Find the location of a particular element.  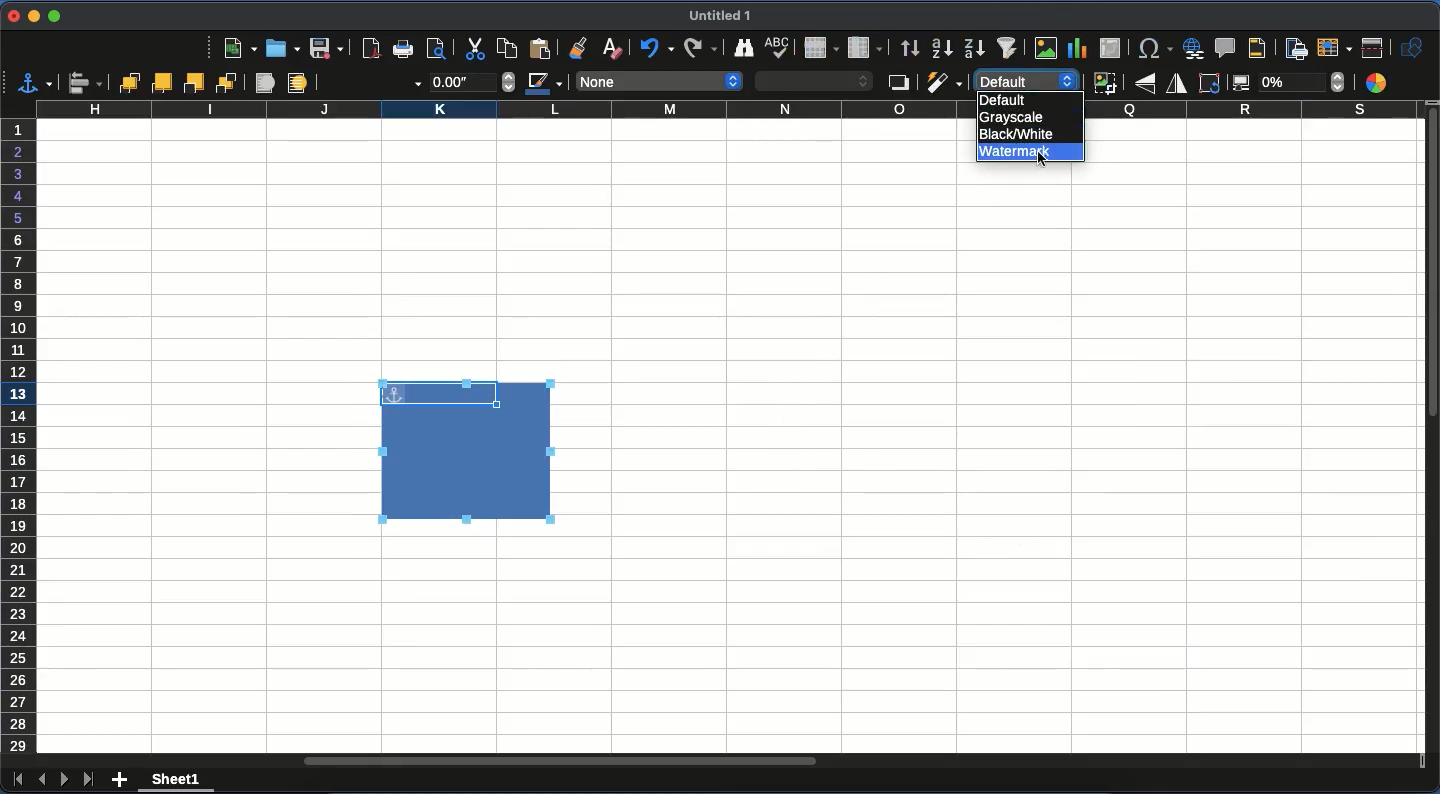

paste is located at coordinates (505, 47).